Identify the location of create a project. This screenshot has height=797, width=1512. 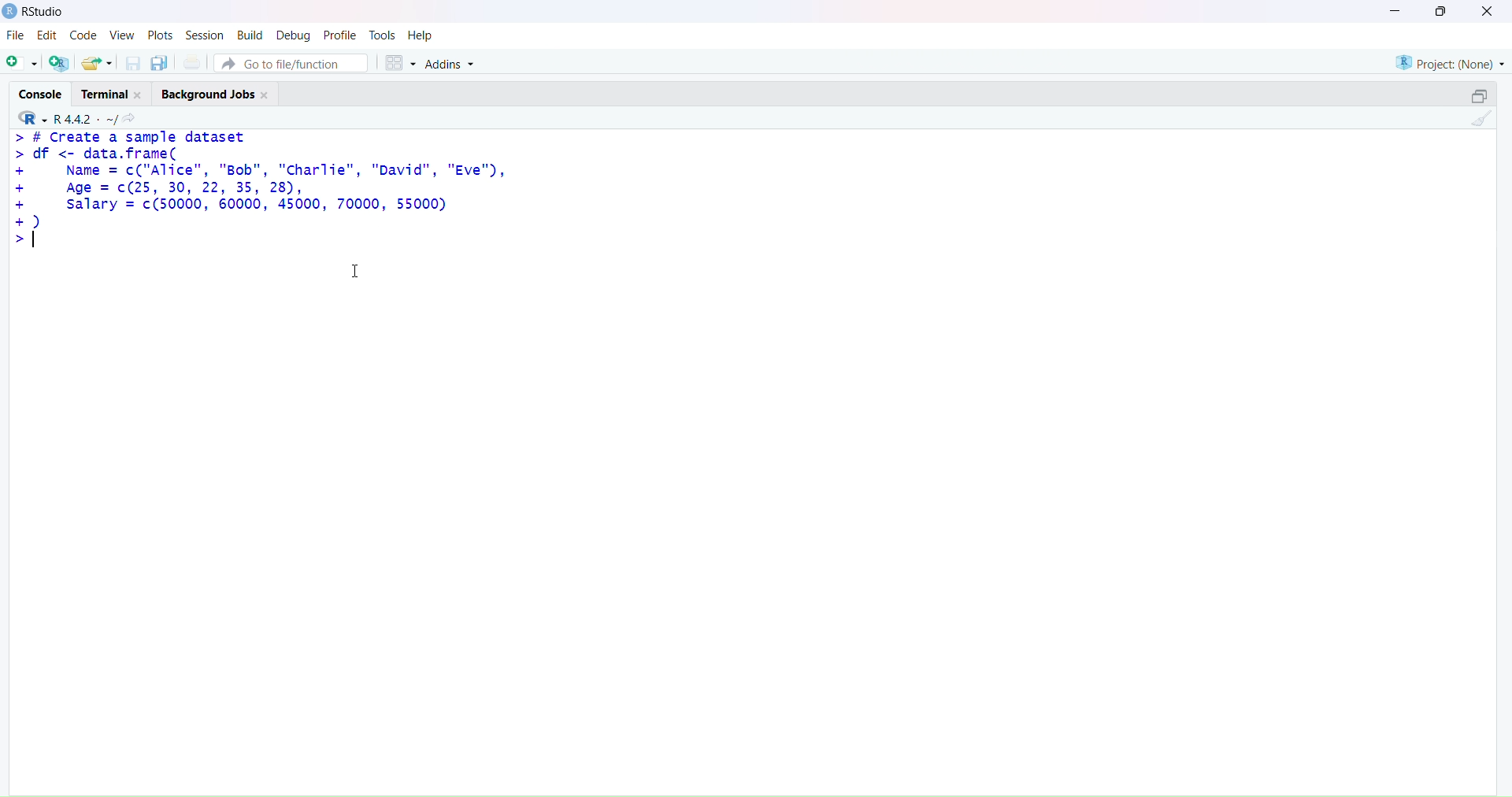
(59, 63).